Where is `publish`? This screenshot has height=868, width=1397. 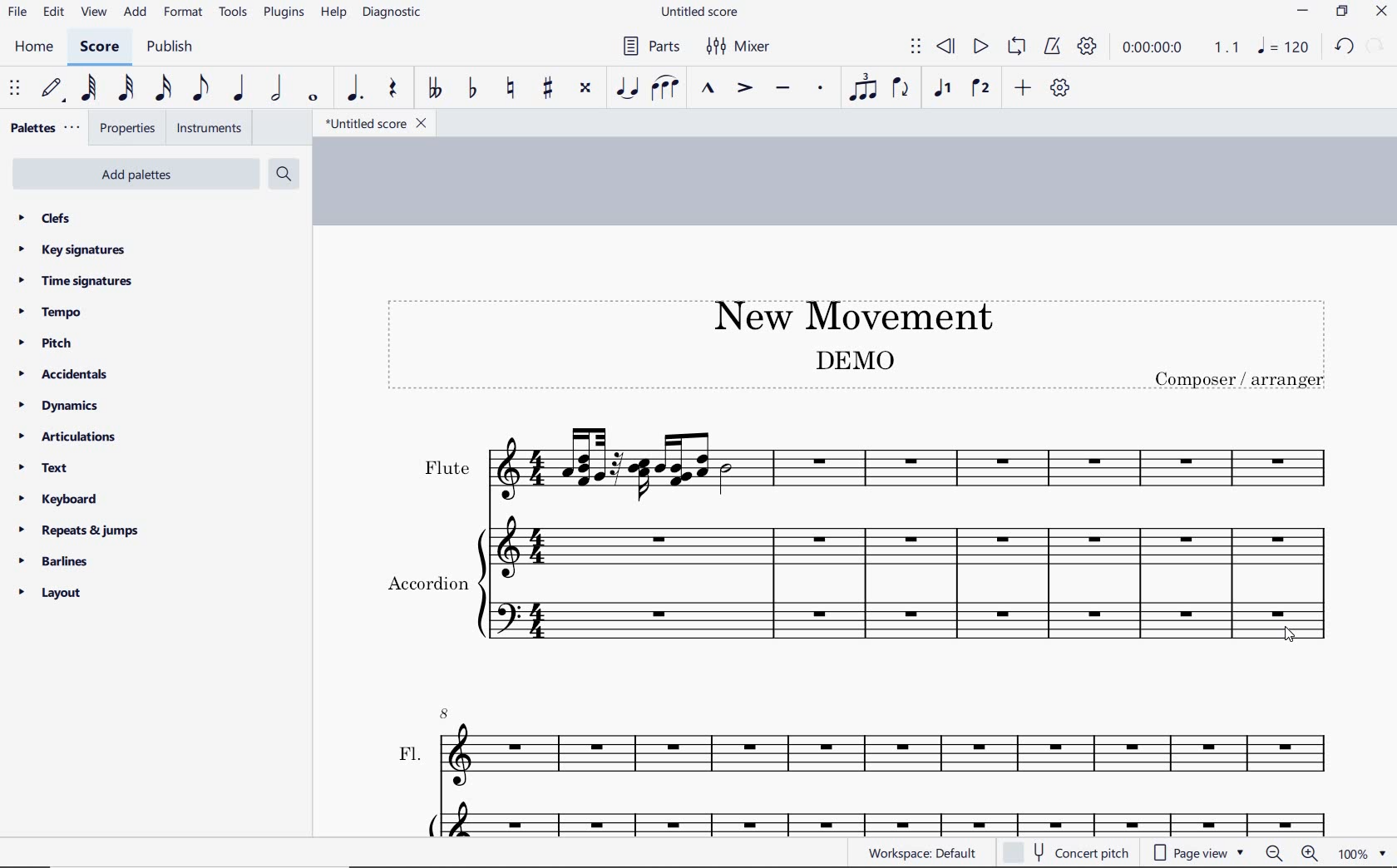
publish is located at coordinates (168, 48).